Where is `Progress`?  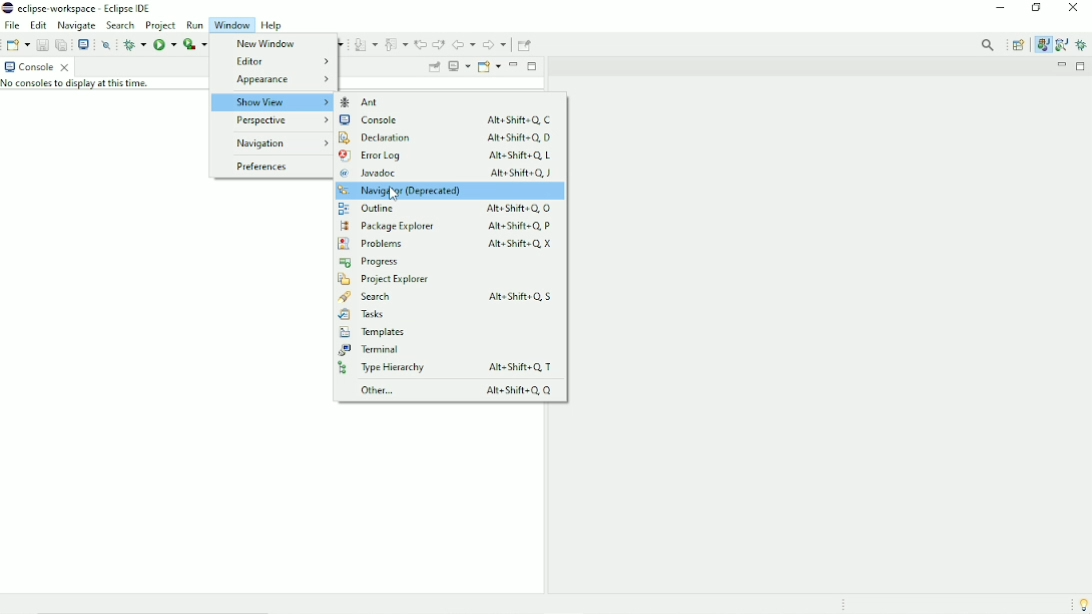 Progress is located at coordinates (370, 262).